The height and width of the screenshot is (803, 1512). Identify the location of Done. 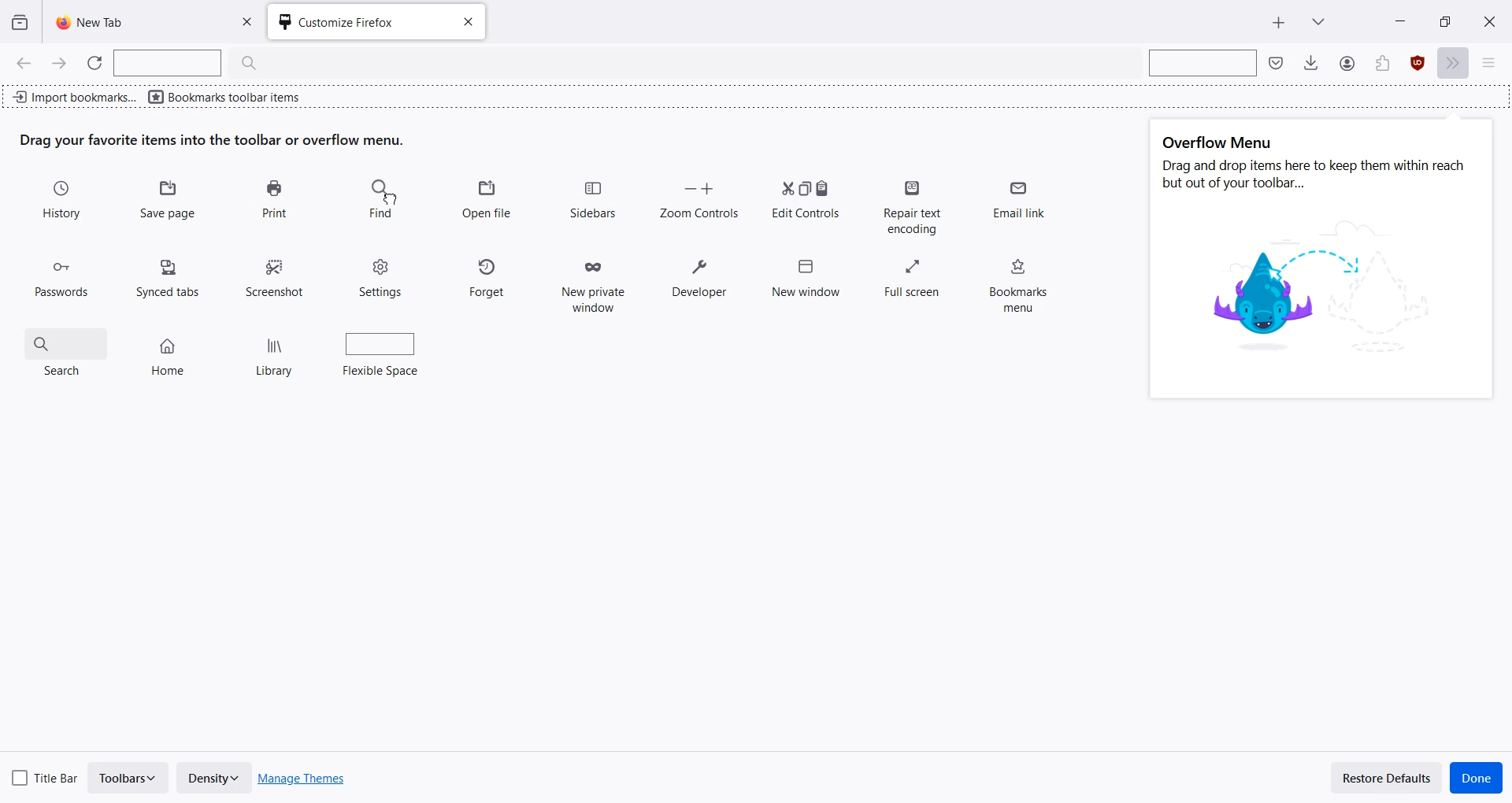
(1477, 778).